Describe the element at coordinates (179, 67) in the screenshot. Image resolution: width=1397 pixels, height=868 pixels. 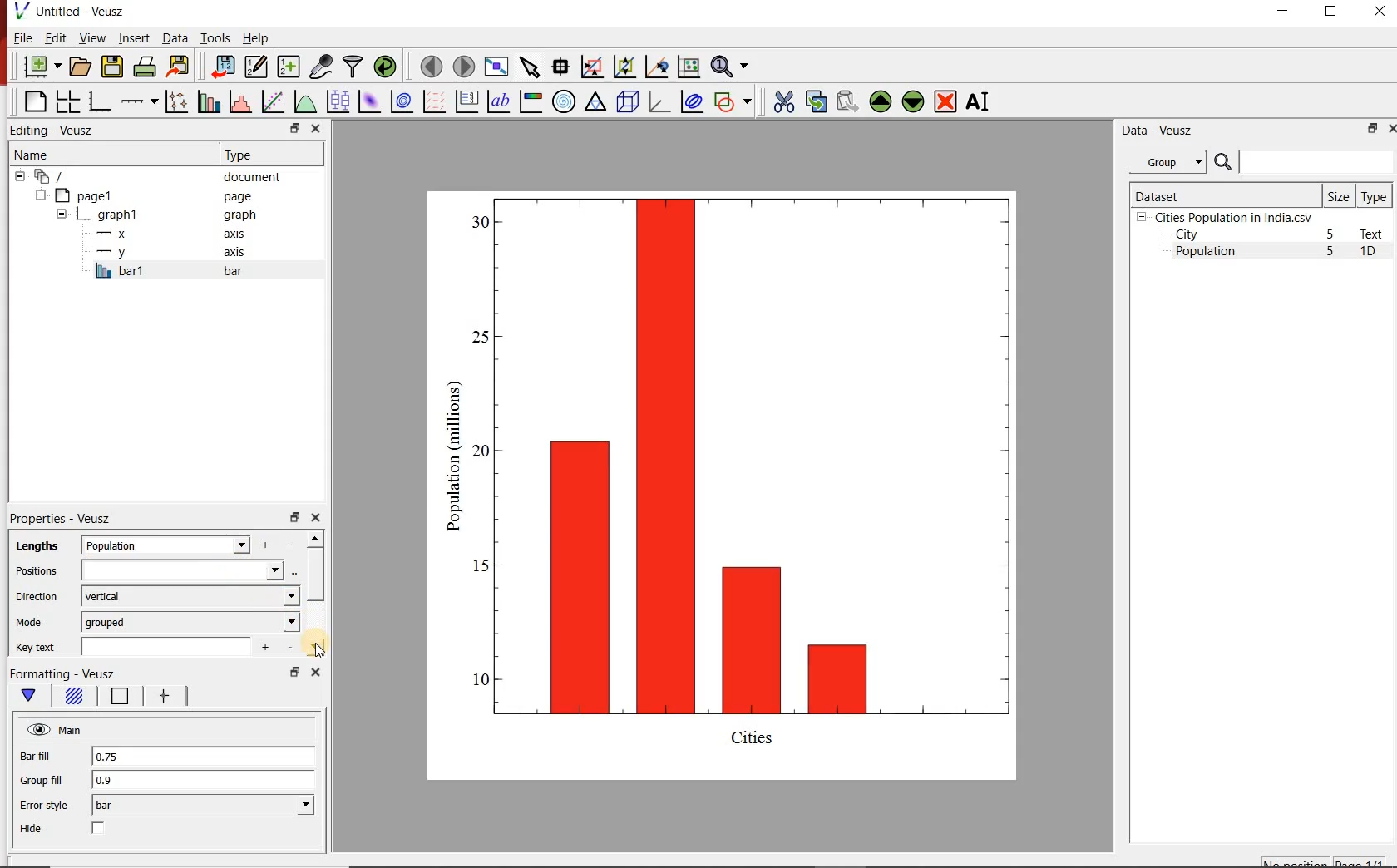
I see `export to graphics format` at that location.